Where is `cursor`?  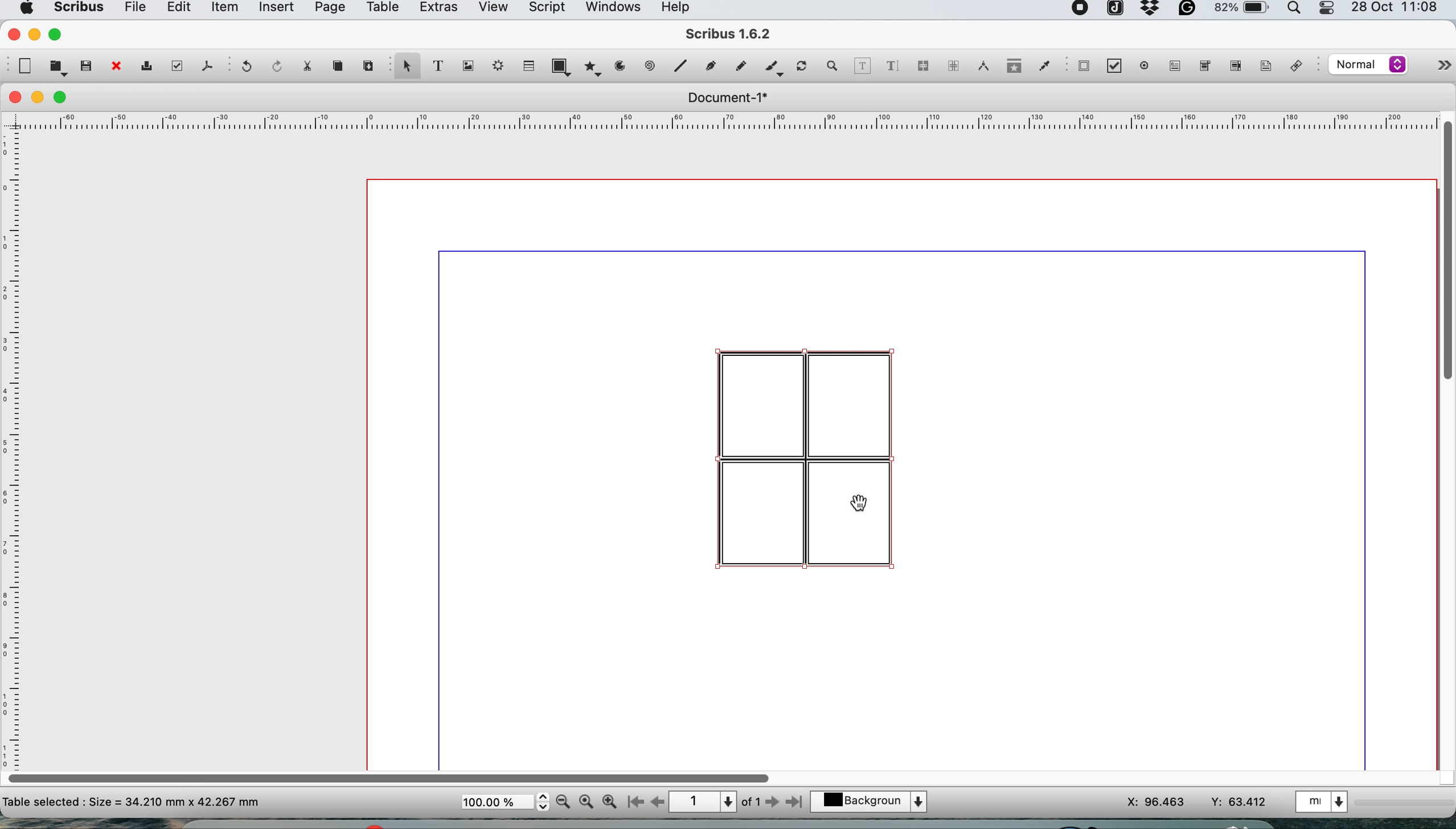 cursor is located at coordinates (852, 507).